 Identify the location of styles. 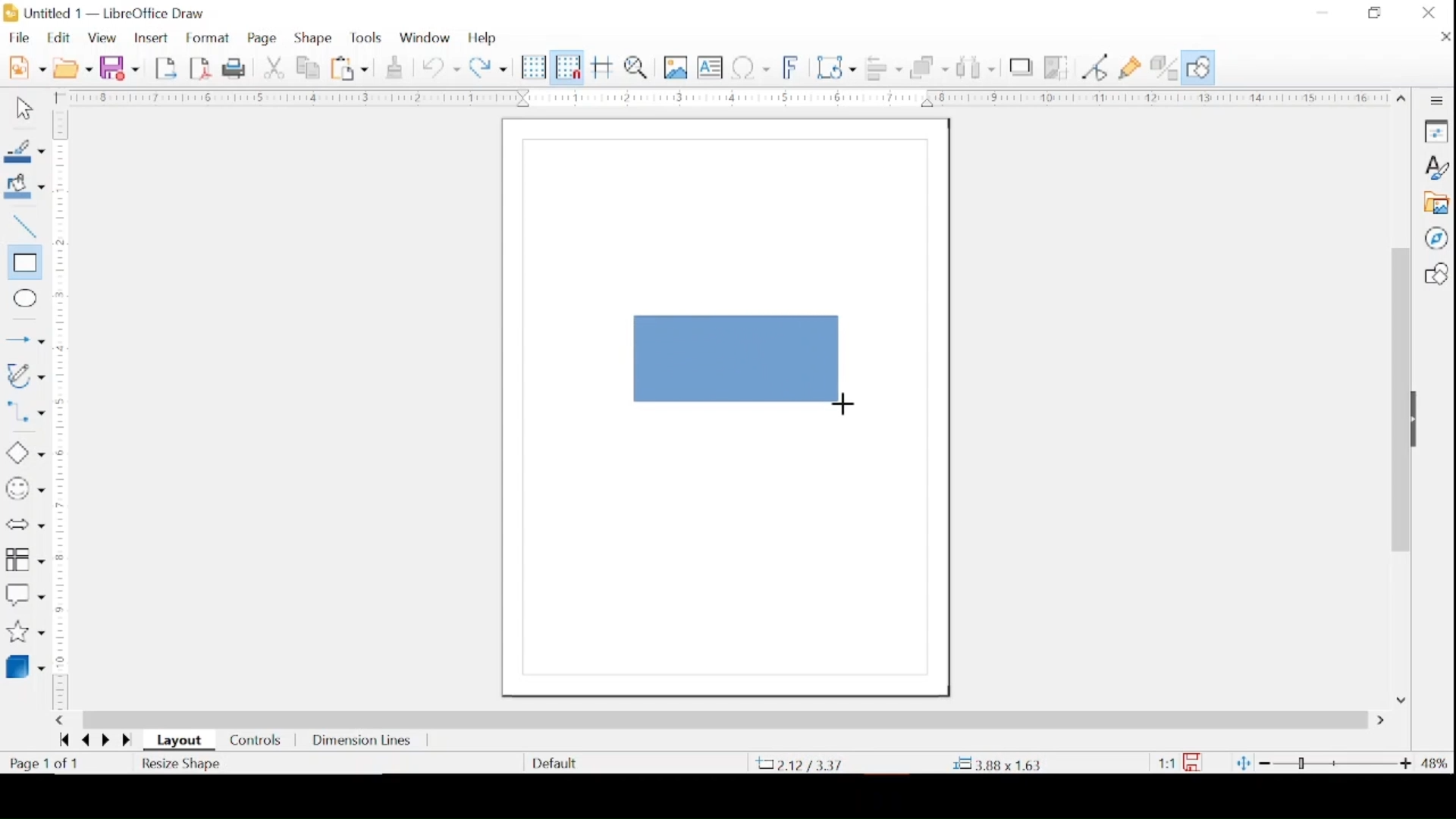
(1436, 168).